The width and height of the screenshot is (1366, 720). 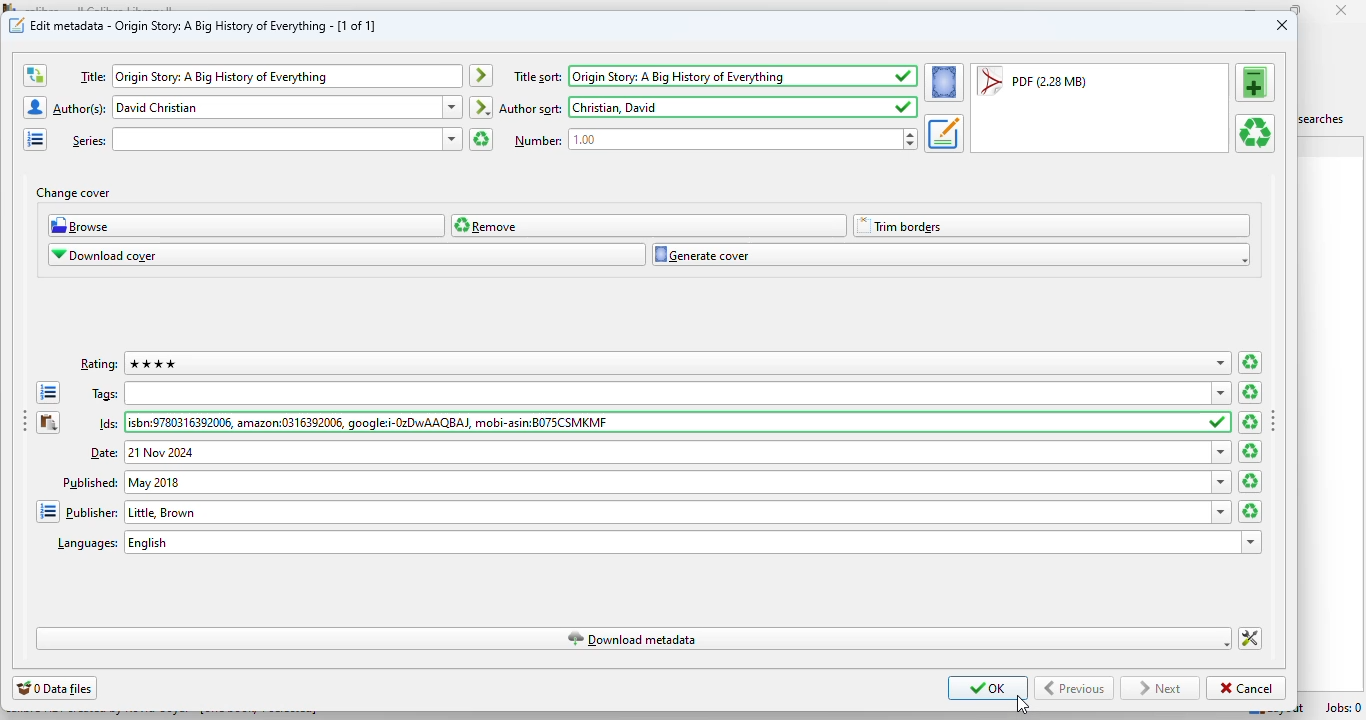 What do you see at coordinates (49, 422) in the screenshot?
I see `paste` at bounding box center [49, 422].